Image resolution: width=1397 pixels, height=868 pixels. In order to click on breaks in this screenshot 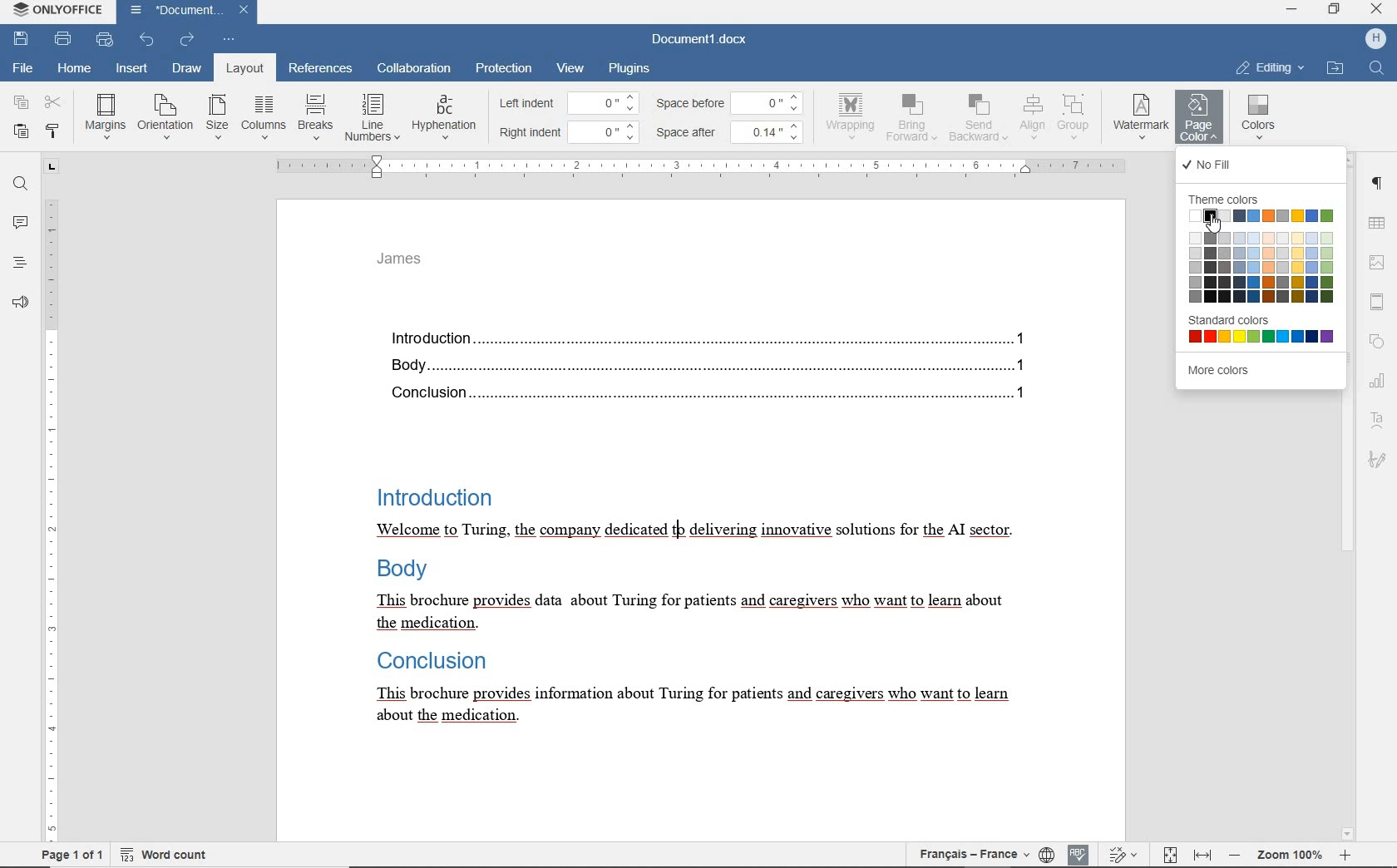, I will do `click(315, 118)`.